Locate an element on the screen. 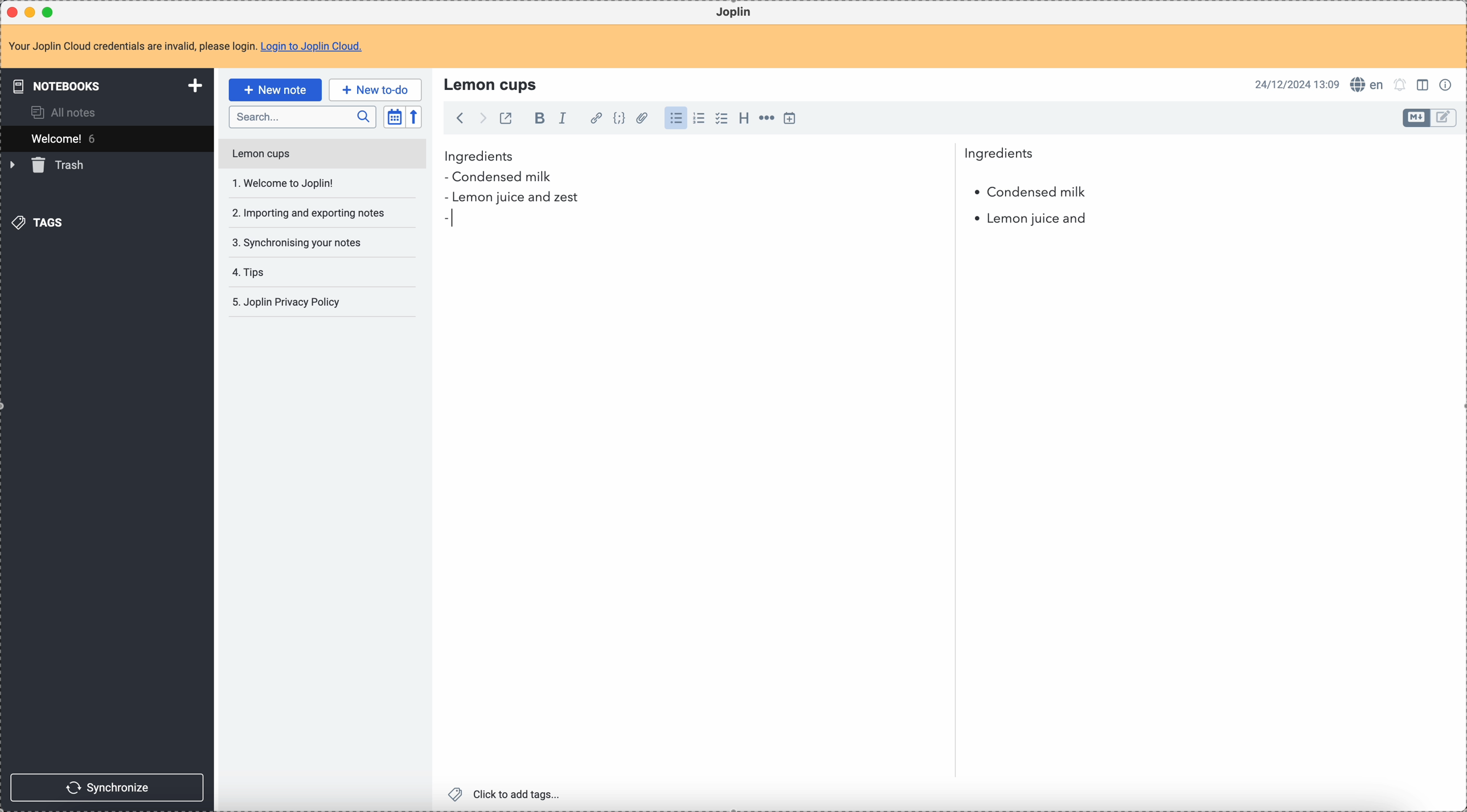 This screenshot has height=812, width=1467. foward is located at coordinates (481, 118).